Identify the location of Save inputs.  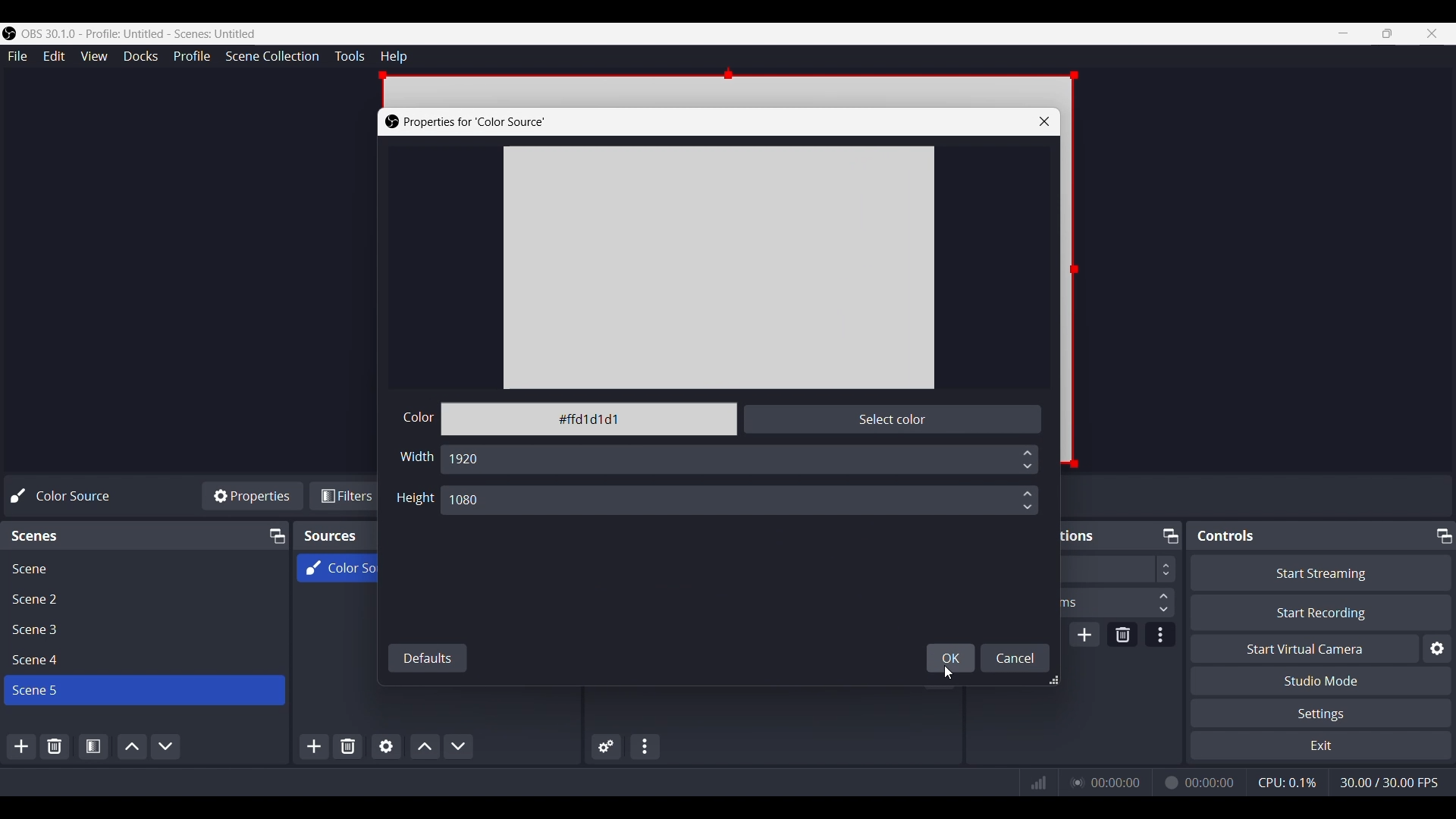
(950, 658).